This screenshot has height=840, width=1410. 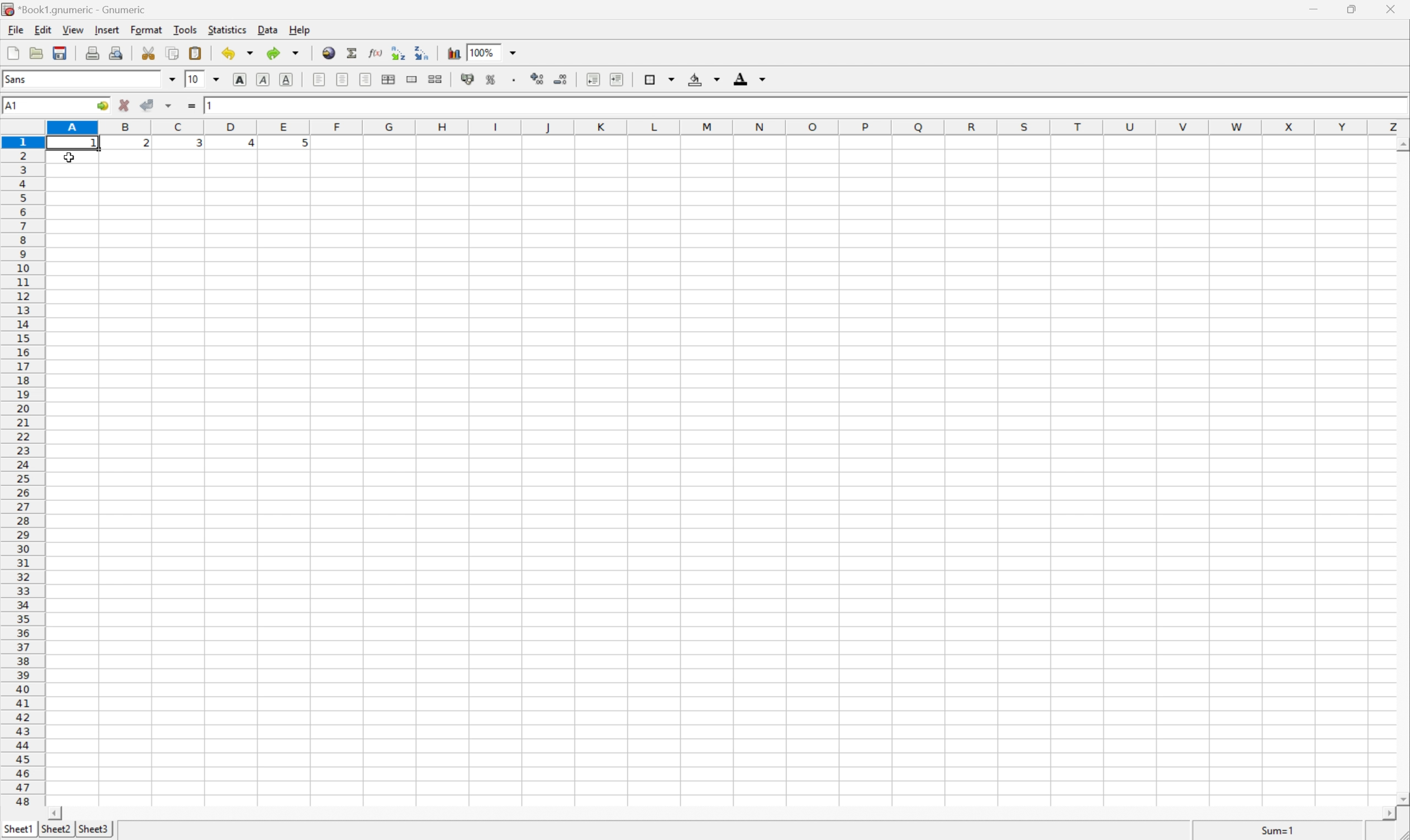 What do you see at coordinates (198, 145) in the screenshot?
I see `3` at bounding box center [198, 145].